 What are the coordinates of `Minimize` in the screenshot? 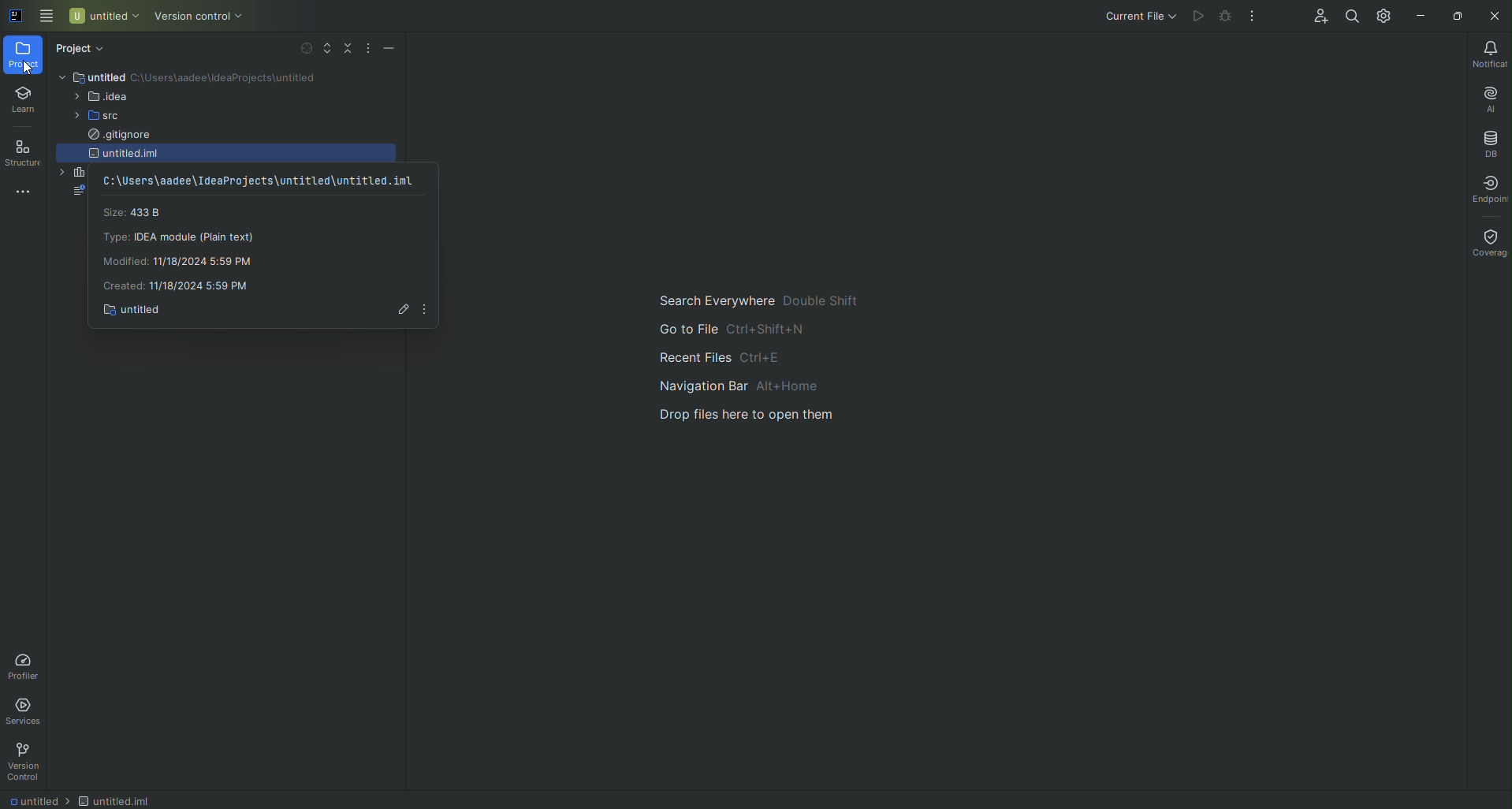 It's located at (1418, 15).